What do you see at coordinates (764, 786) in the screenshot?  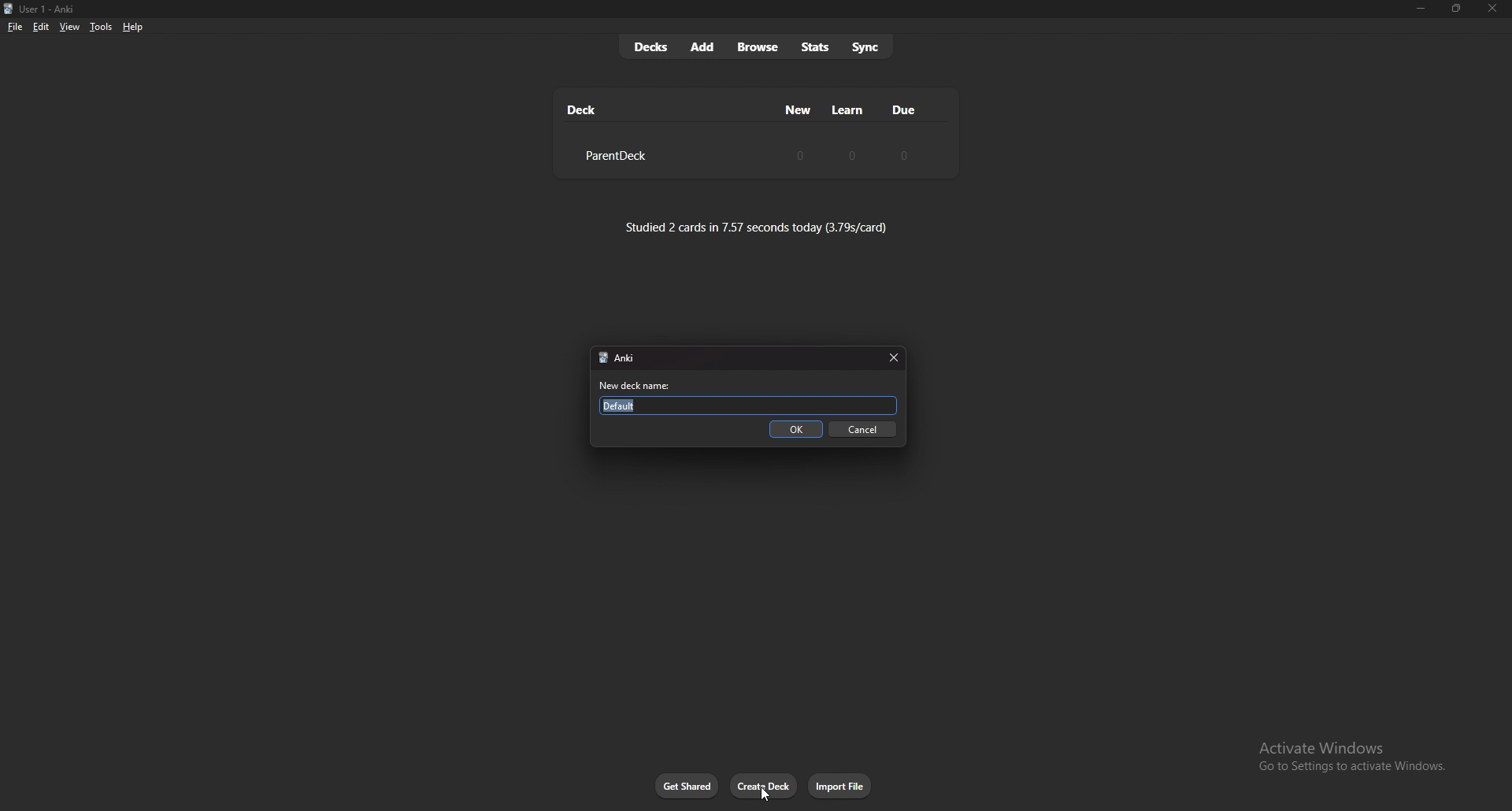 I see `create deck` at bounding box center [764, 786].